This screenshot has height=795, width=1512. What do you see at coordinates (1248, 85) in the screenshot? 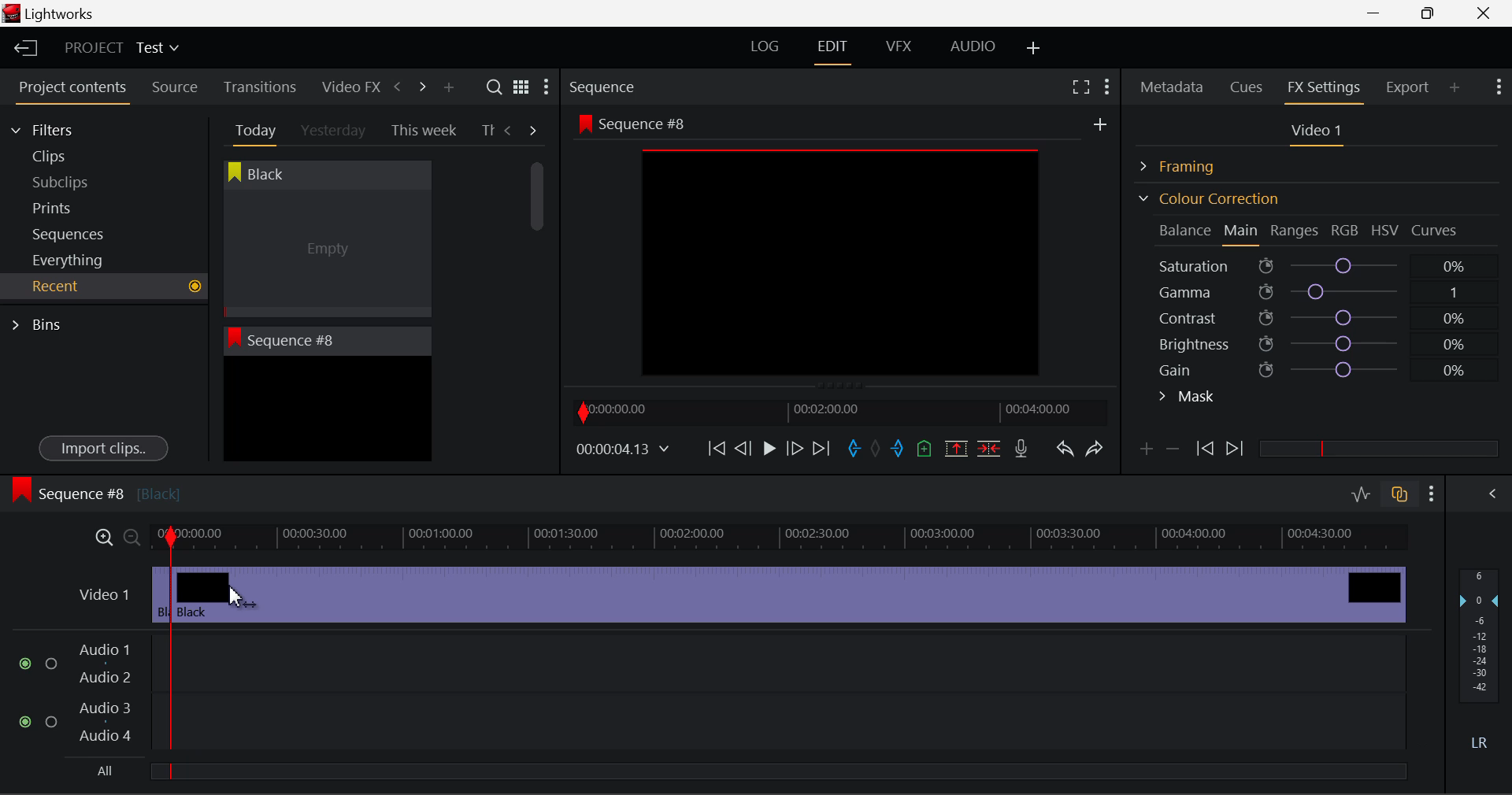
I see `Cues Panel` at bounding box center [1248, 85].